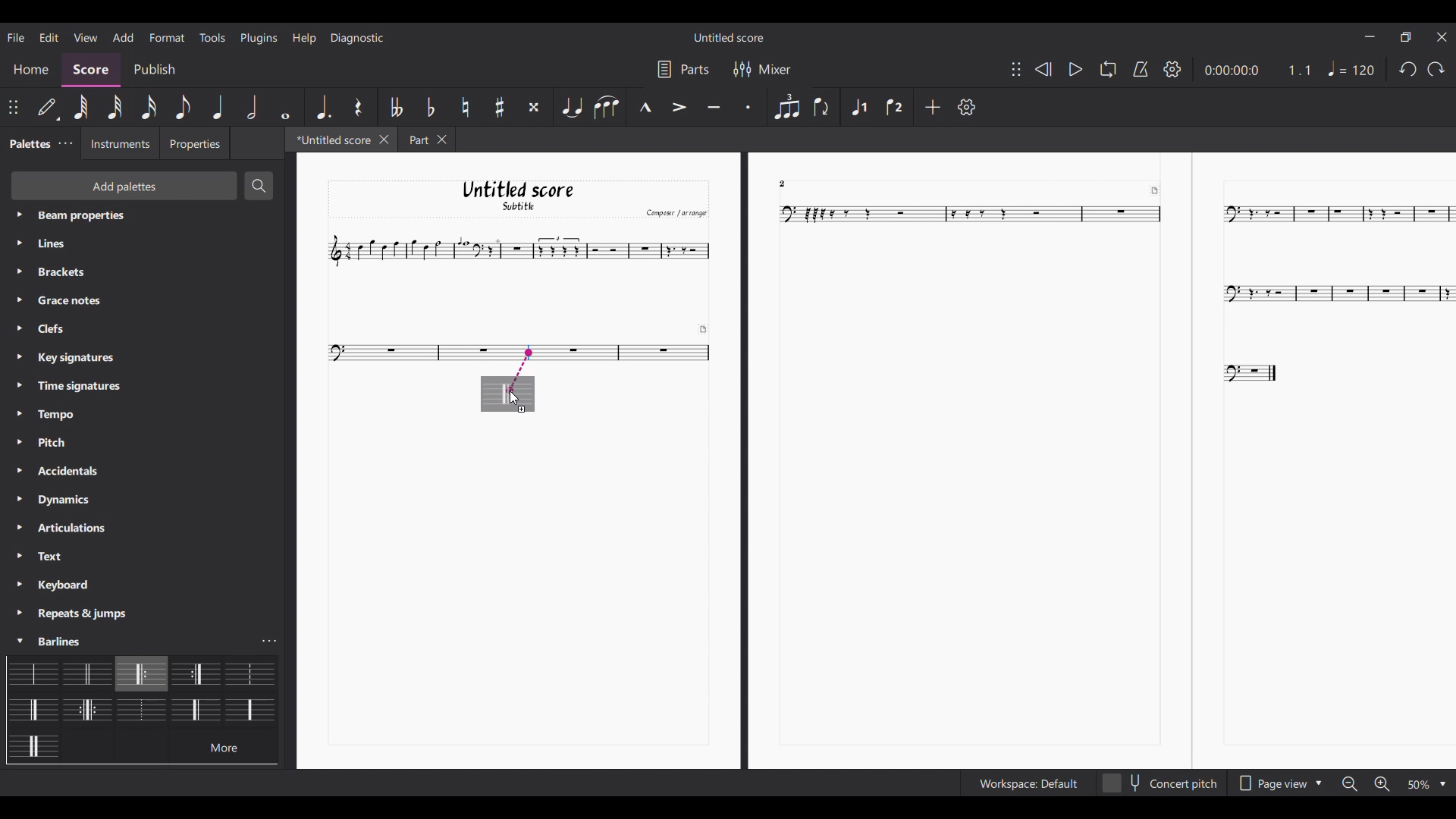 This screenshot has height=819, width=1456. What do you see at coordinates (82, 108) in the screenshot?
I see `64th note` at bounding box center [82, 108].